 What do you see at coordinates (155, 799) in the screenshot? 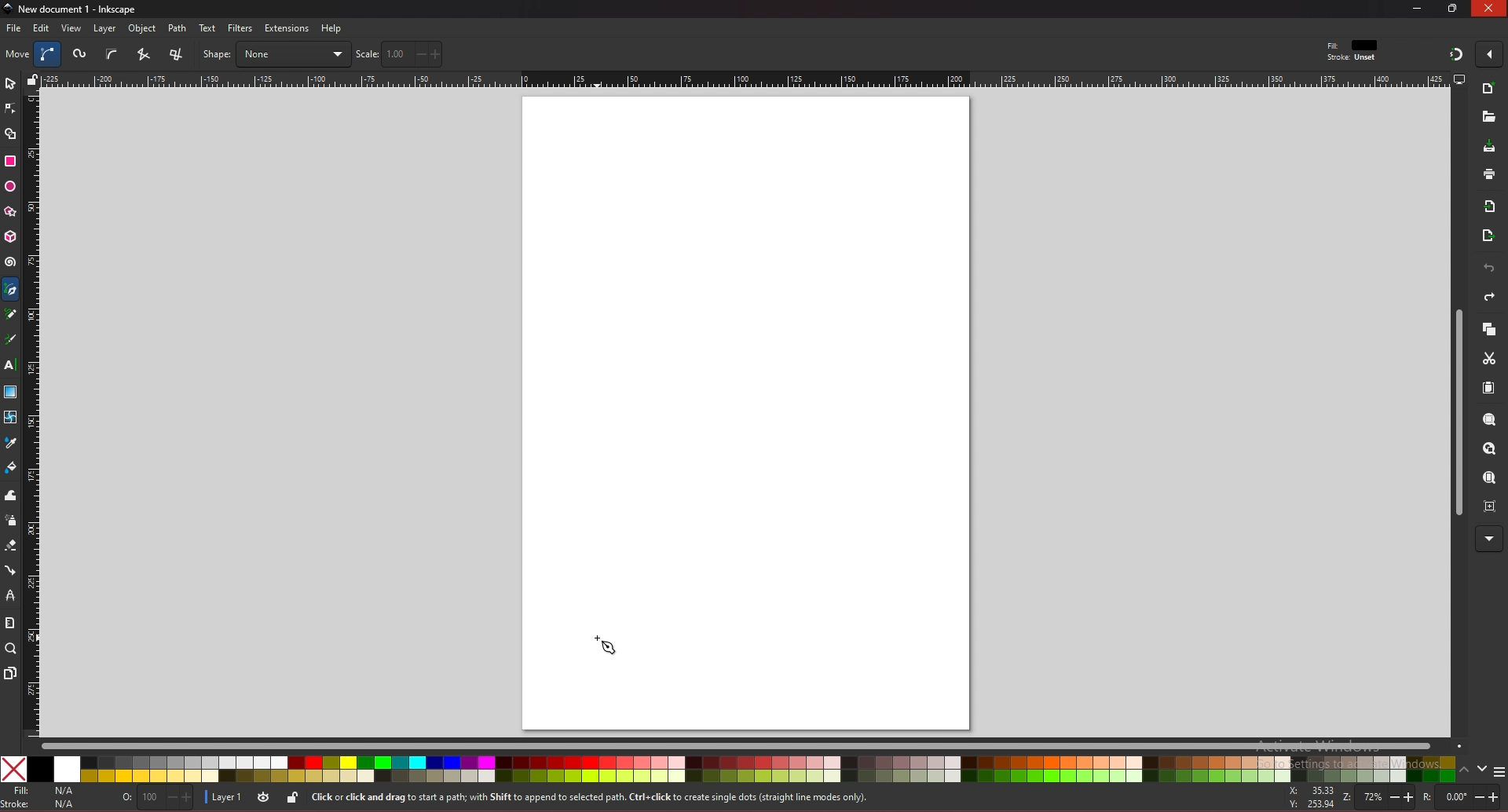
I see `opacity` at bounding box center [155, 799].